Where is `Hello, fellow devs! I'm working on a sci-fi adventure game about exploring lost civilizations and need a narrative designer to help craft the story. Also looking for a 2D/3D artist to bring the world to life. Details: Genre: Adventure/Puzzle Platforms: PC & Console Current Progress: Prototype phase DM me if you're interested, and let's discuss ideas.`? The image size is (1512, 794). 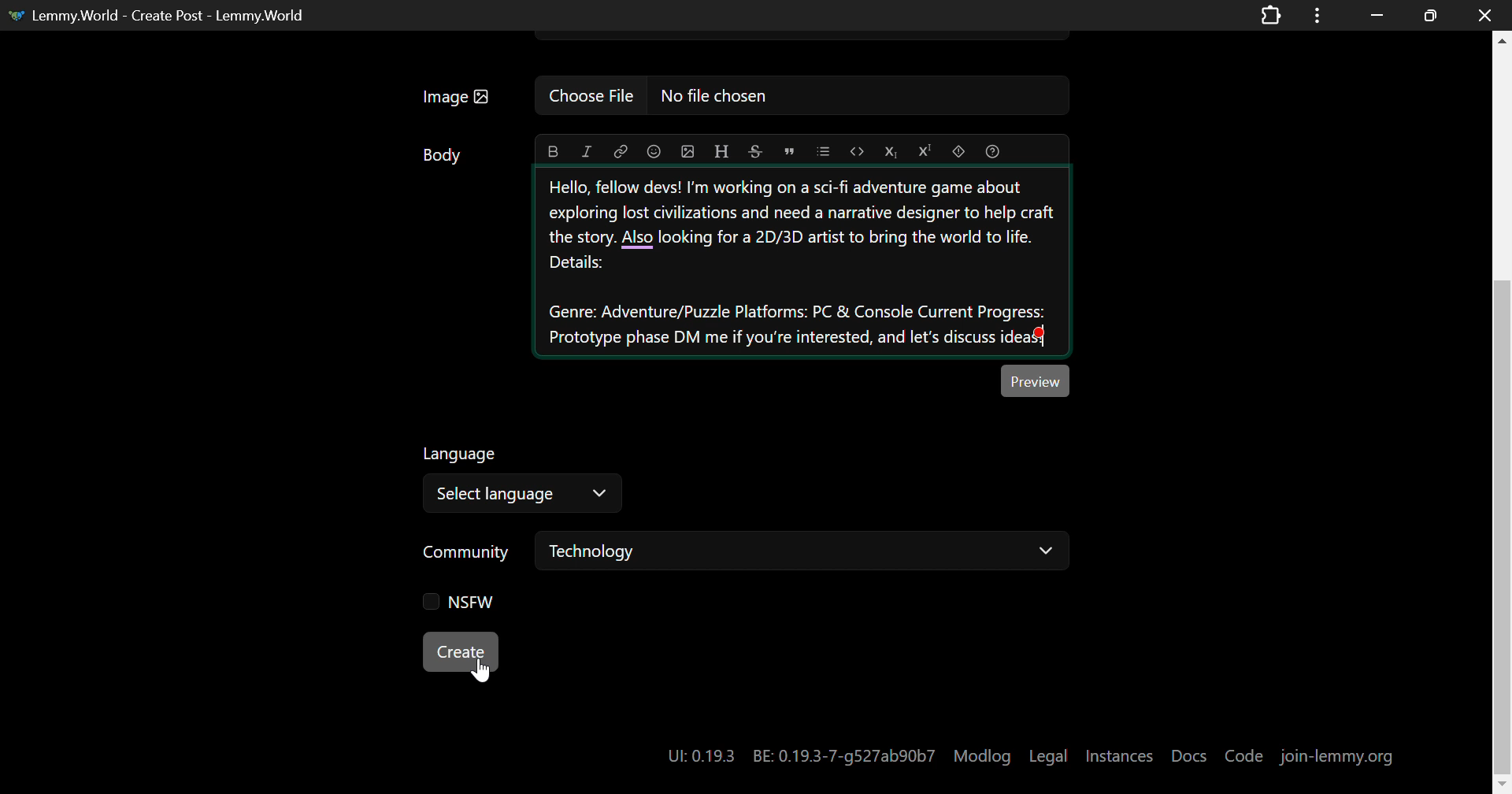
Hello, fellow devs! I'm working on a sci-fi adventure game about exploring lost civilizations and need a narrative designer to help craft the story. Also looking for a 2D/3D artist to bring the world to life. Details: Genre: Adventure/Puzzle Platforms: PC & Console Current Progress: Prototype phase DM me if you're interested, and let's discuss ideas. is located at coordinates (803, 262).